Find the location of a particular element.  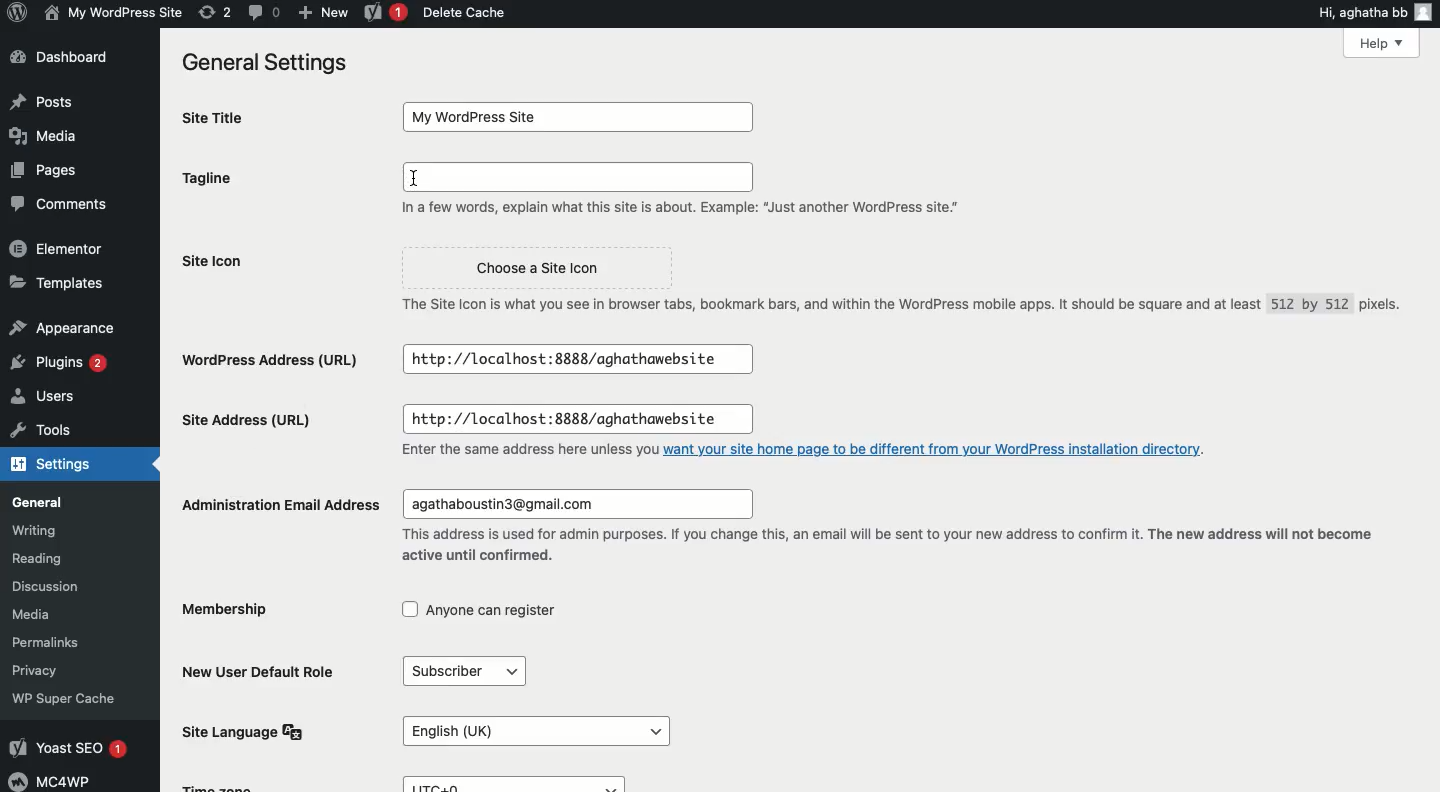

Post is located at coordinates (43, 100).